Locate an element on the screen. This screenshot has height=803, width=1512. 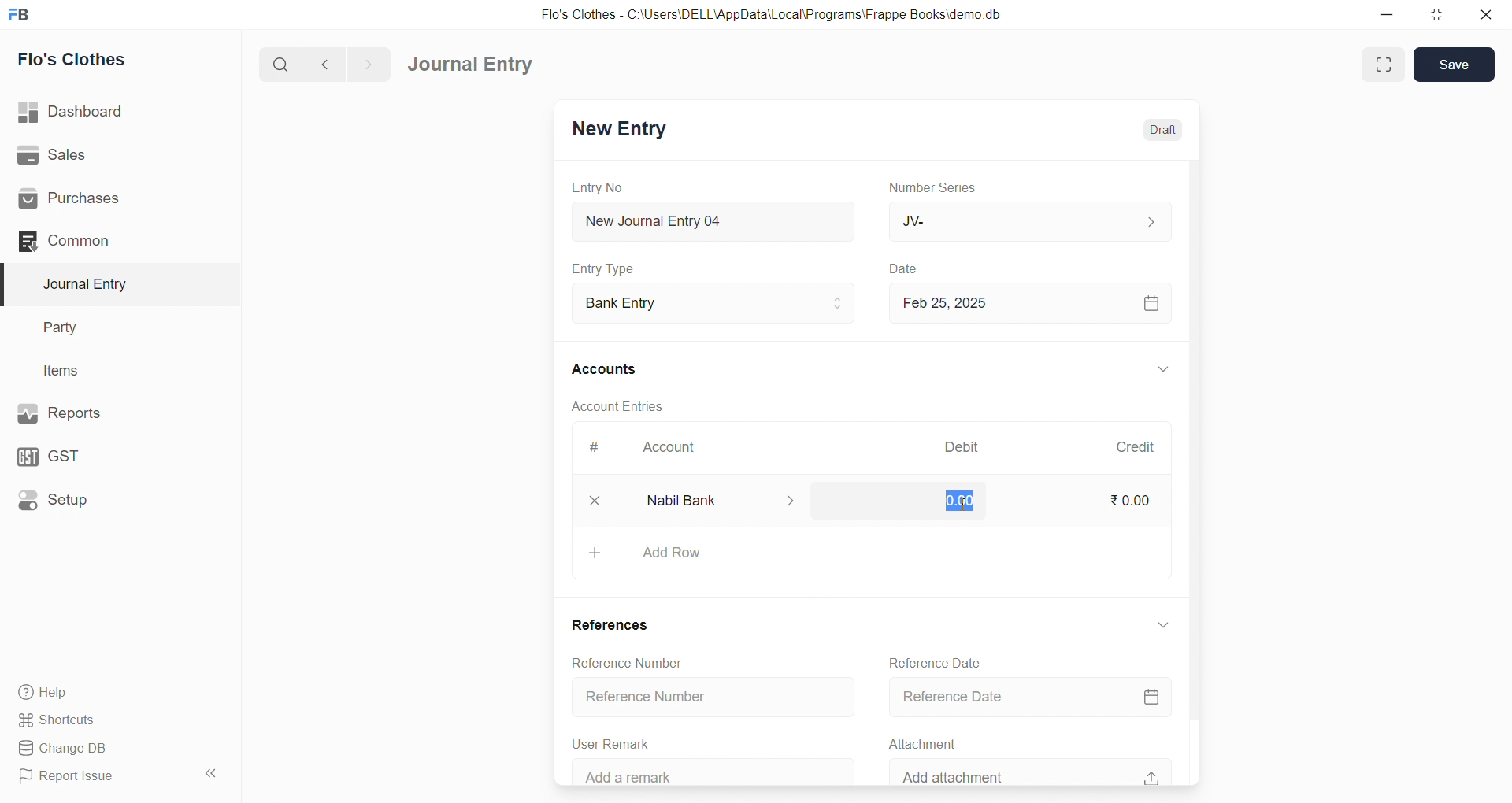
Items is located at coordinates (109, 372).